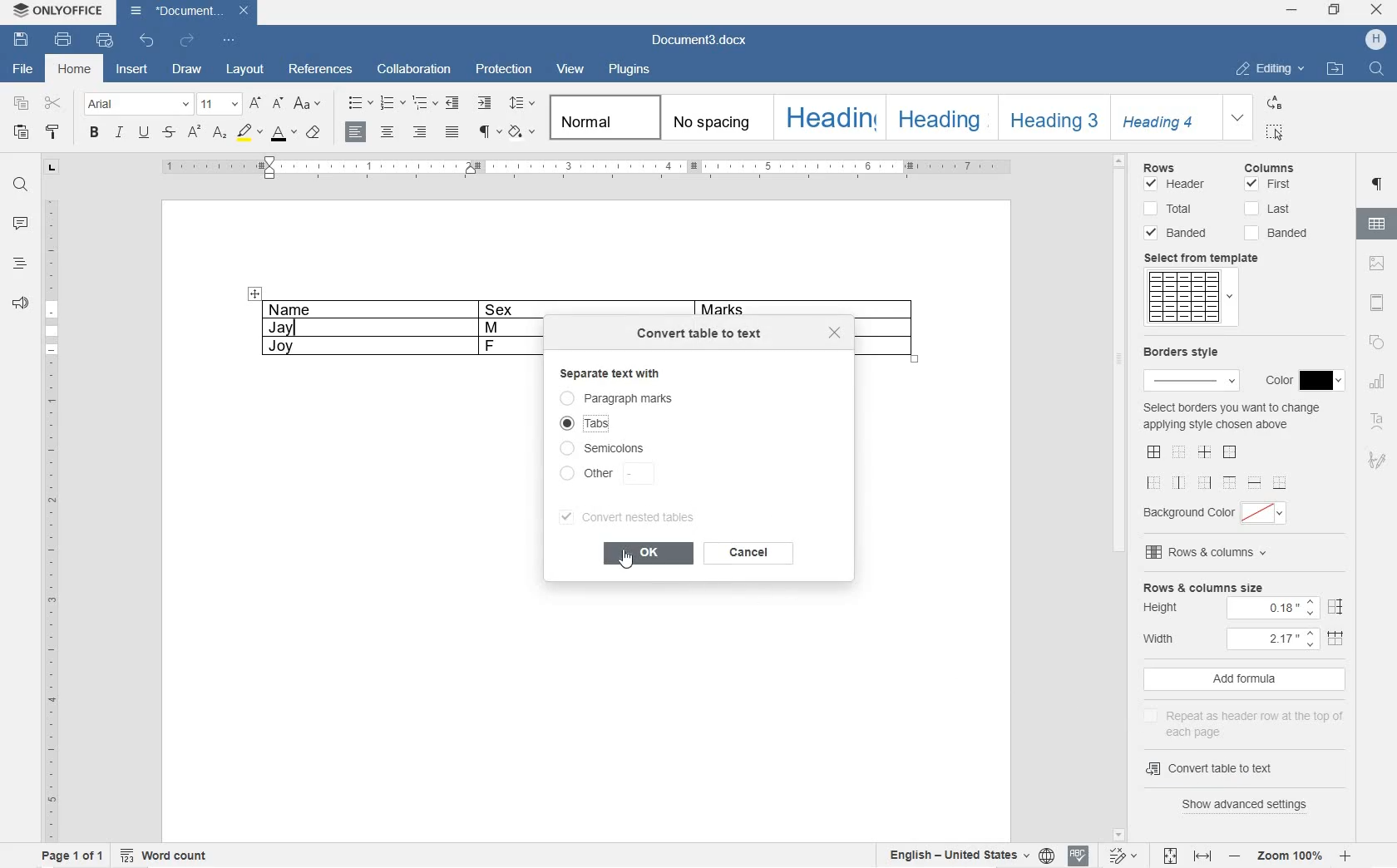  What do you see at coordinates (1291, 858) in the screenshot?
I see `ZOOM IN OR OUT` at bounding box center [1291, 858].